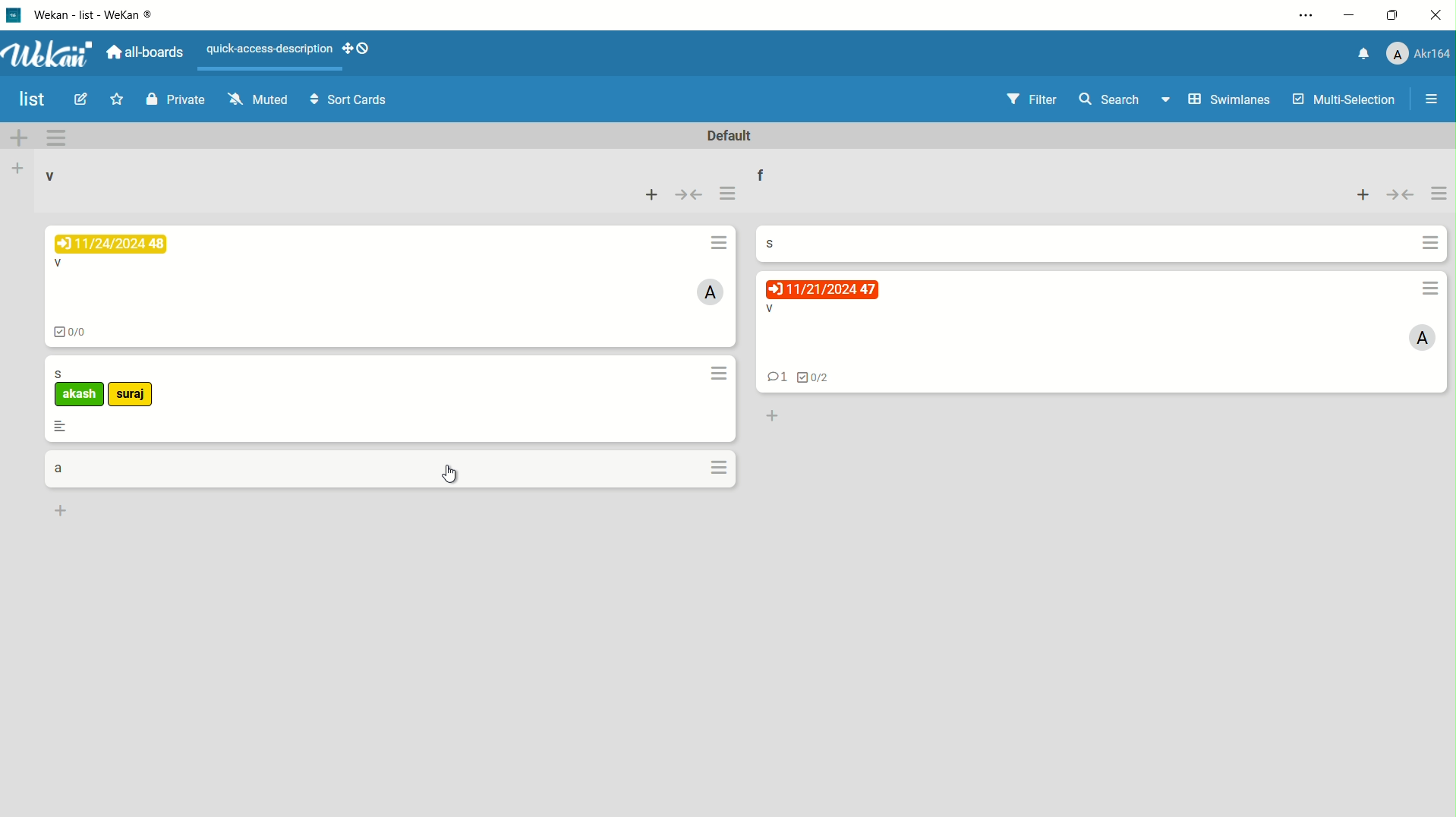 The width and height of the screenshot is (1456, 817). I want to click on list name, so click(759, 172).